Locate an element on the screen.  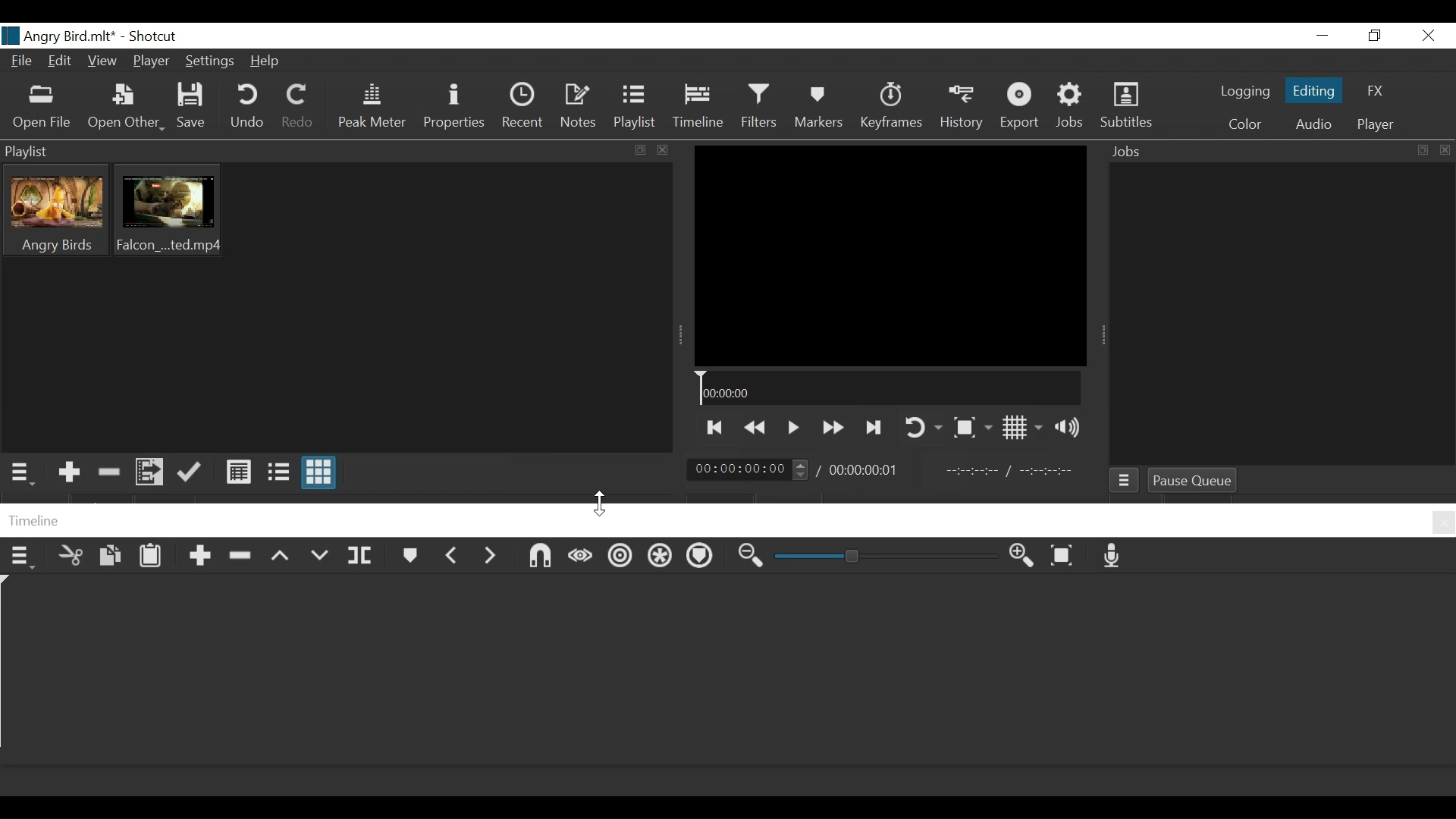
Media Viewer is located at coordinates (889, 254).